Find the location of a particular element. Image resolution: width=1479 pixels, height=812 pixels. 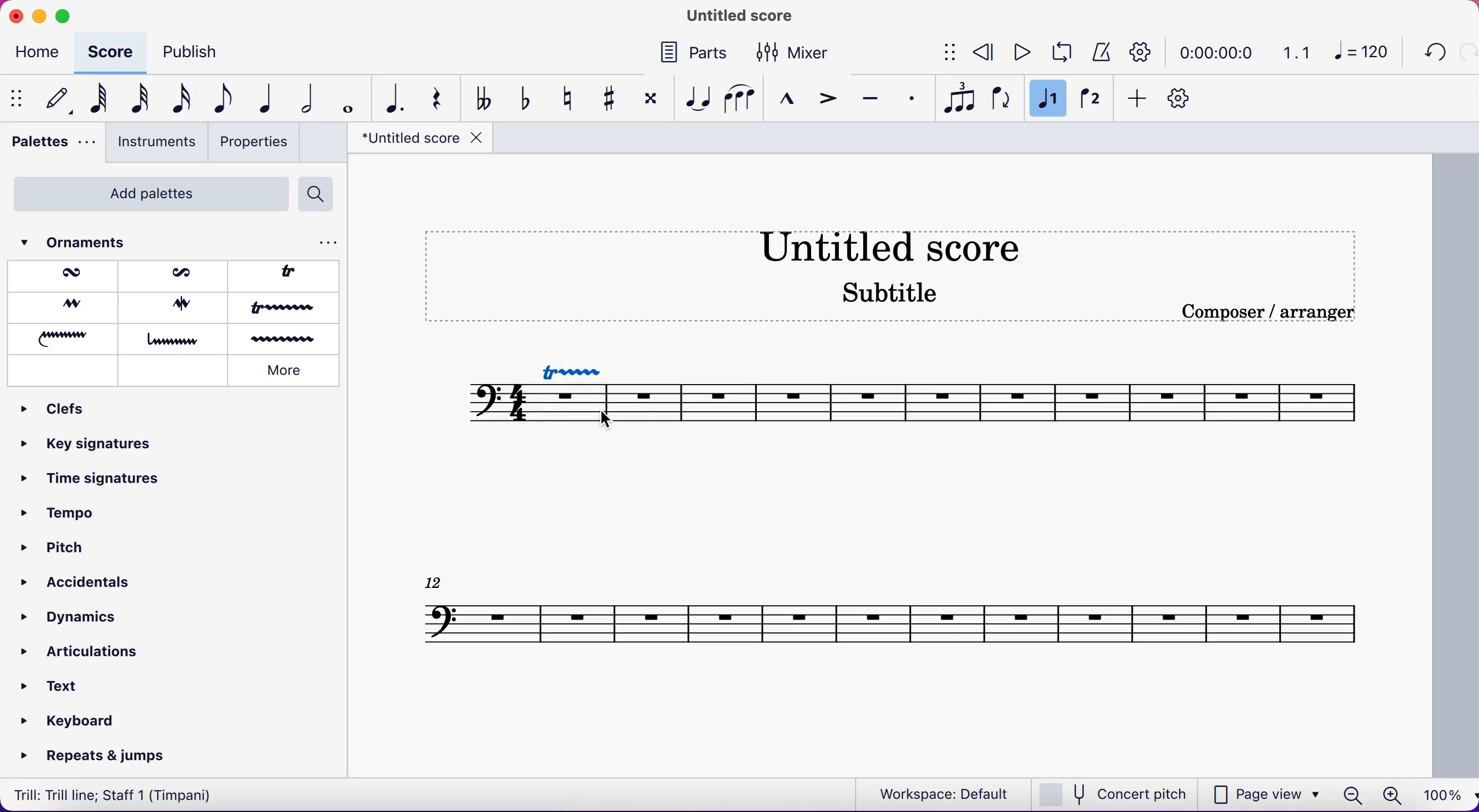

toggle double flat is located at coordinates (484, 98).